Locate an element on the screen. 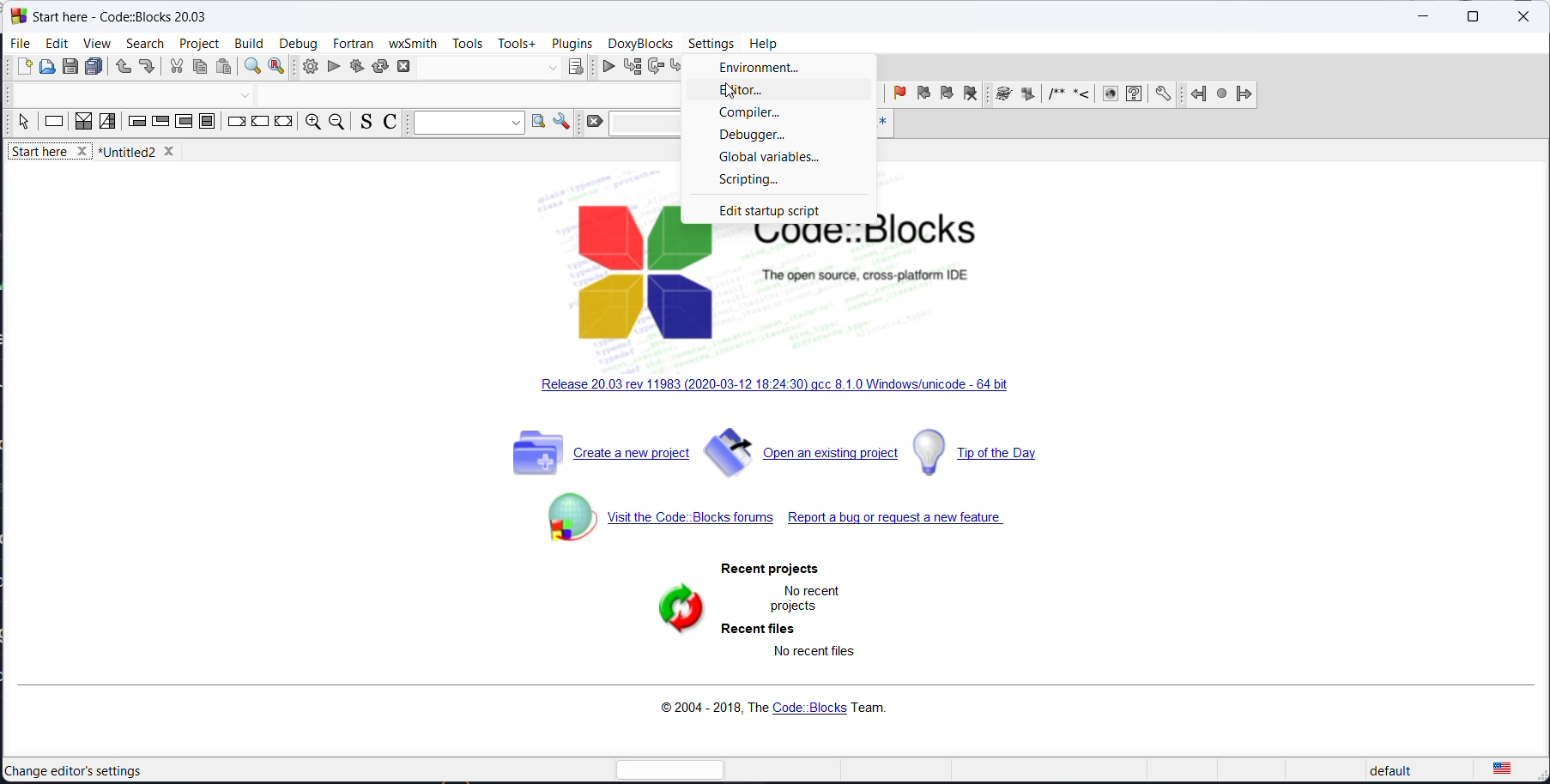  recent files is located at coordinates (756, 630).